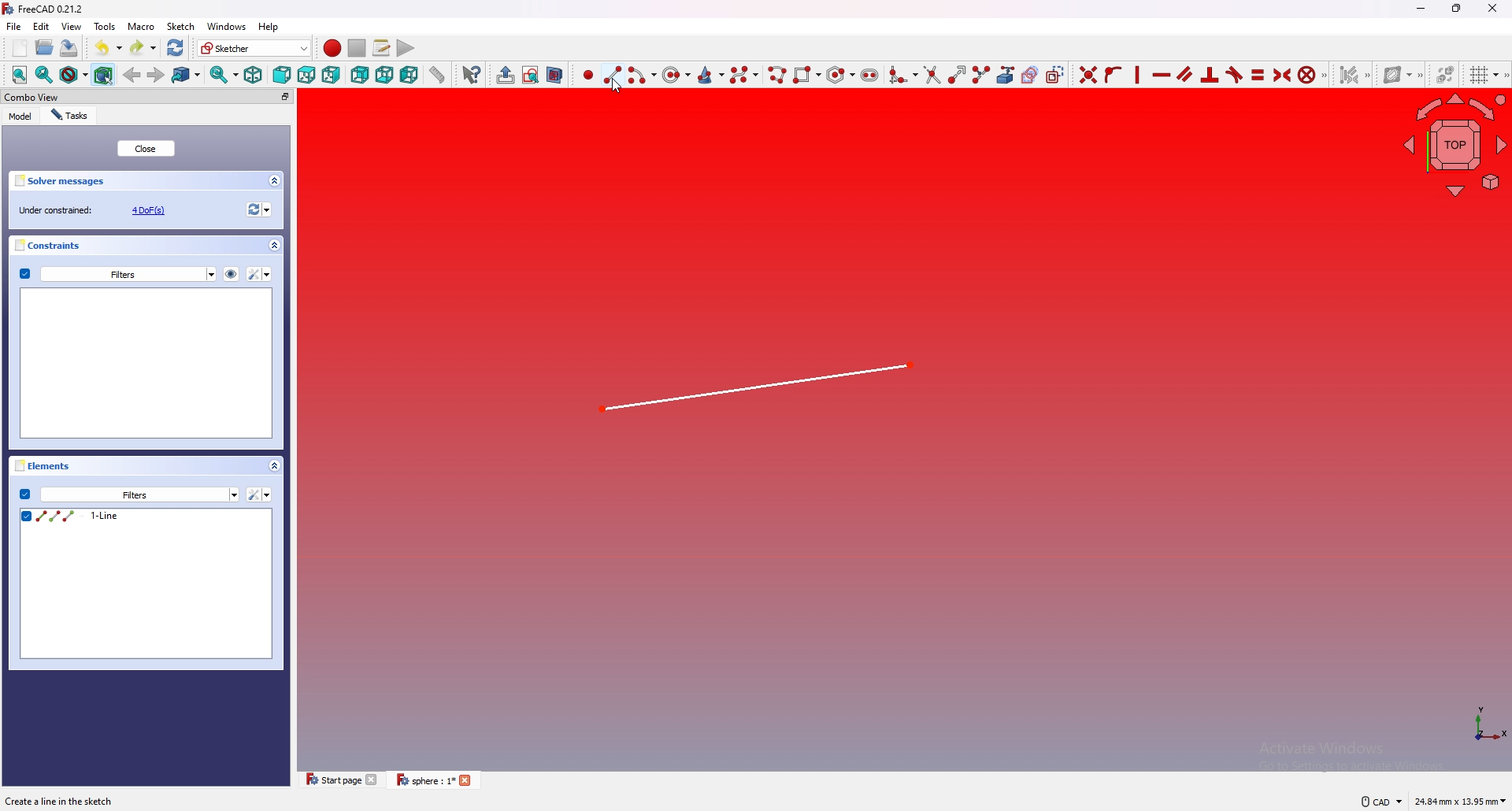  Describe the element at coordinates (1056, 75) in the screenshot. I see `Toggle construction geometry` at that location.